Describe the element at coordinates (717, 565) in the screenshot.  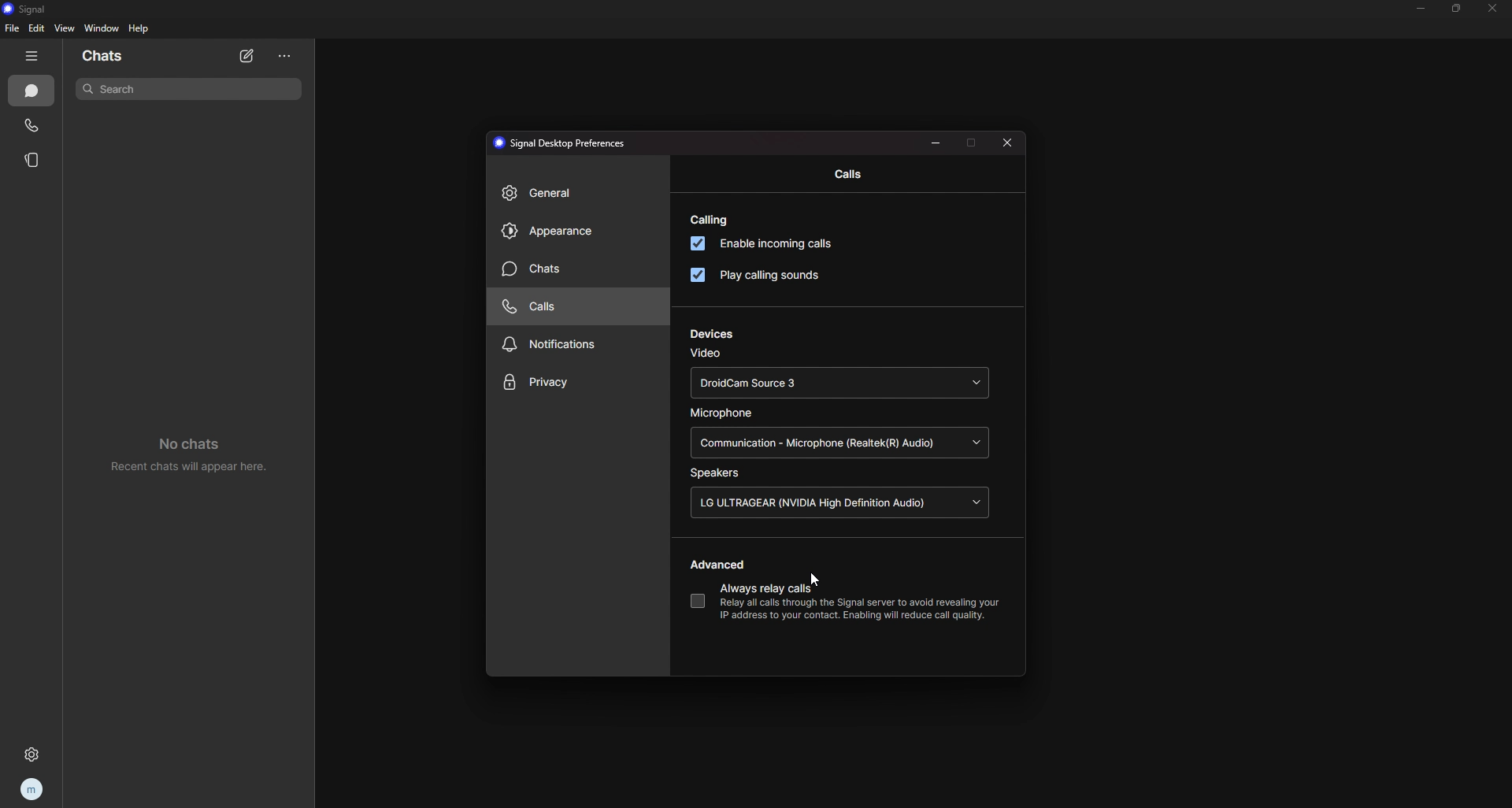
I see `advanced` at that location.